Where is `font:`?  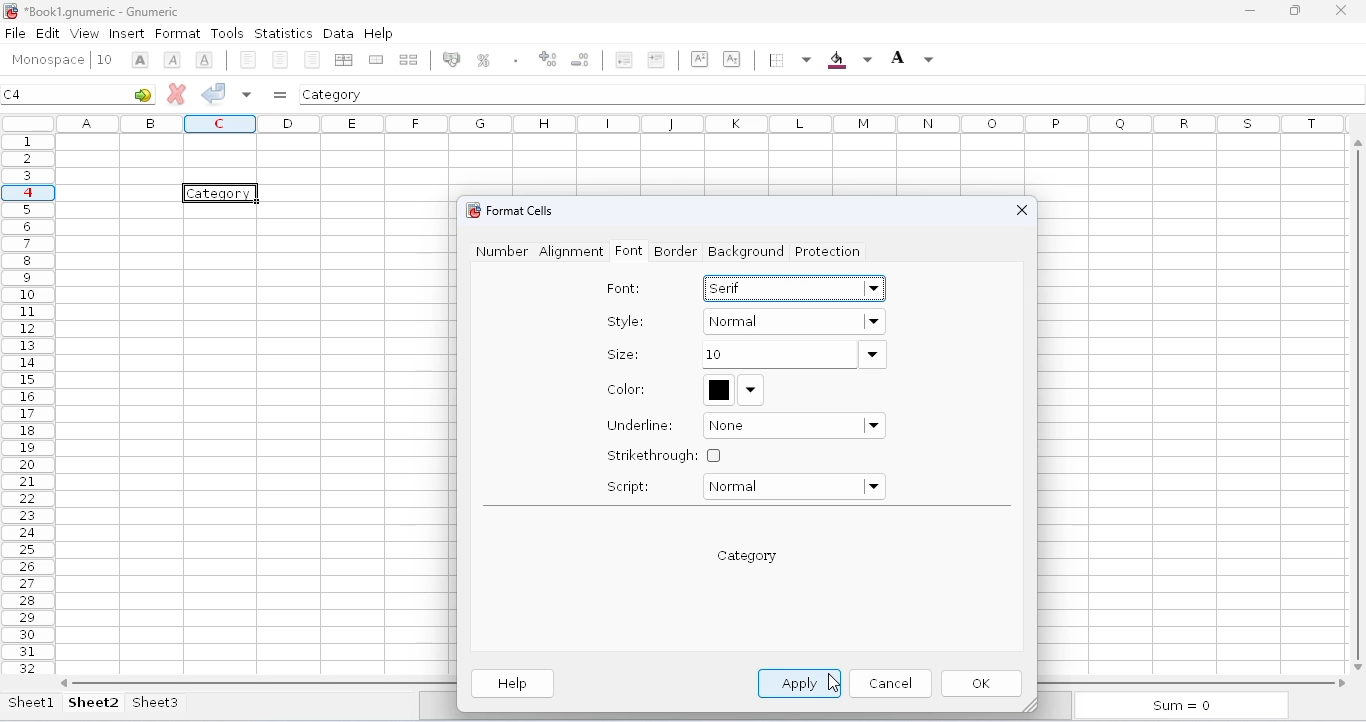
font: is located at coordinates (623, 288).